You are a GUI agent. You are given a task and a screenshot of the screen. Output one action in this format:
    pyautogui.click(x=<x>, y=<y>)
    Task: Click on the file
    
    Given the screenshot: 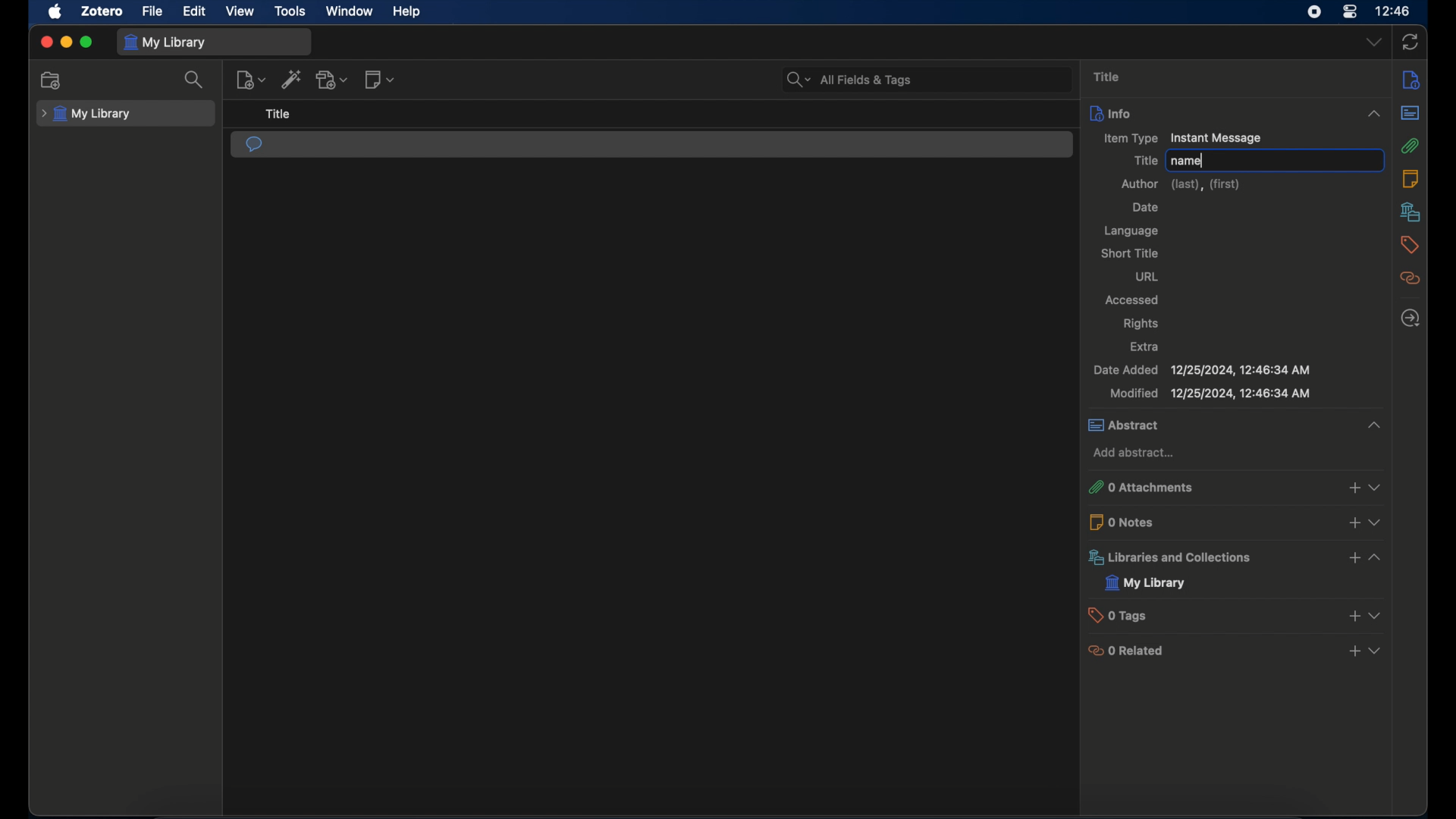 What is the action you would take?
    pyautogui.click(x=153, y=11)
    